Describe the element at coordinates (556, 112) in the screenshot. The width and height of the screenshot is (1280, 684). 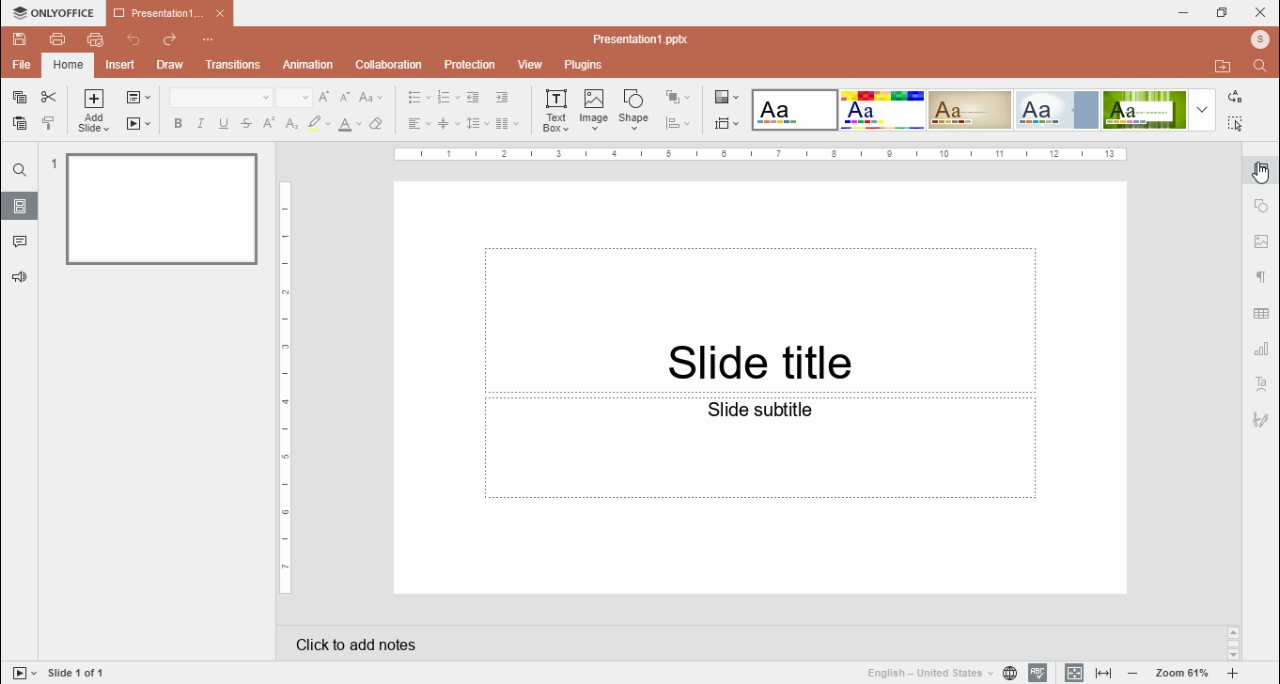
I see `text box` at that location.